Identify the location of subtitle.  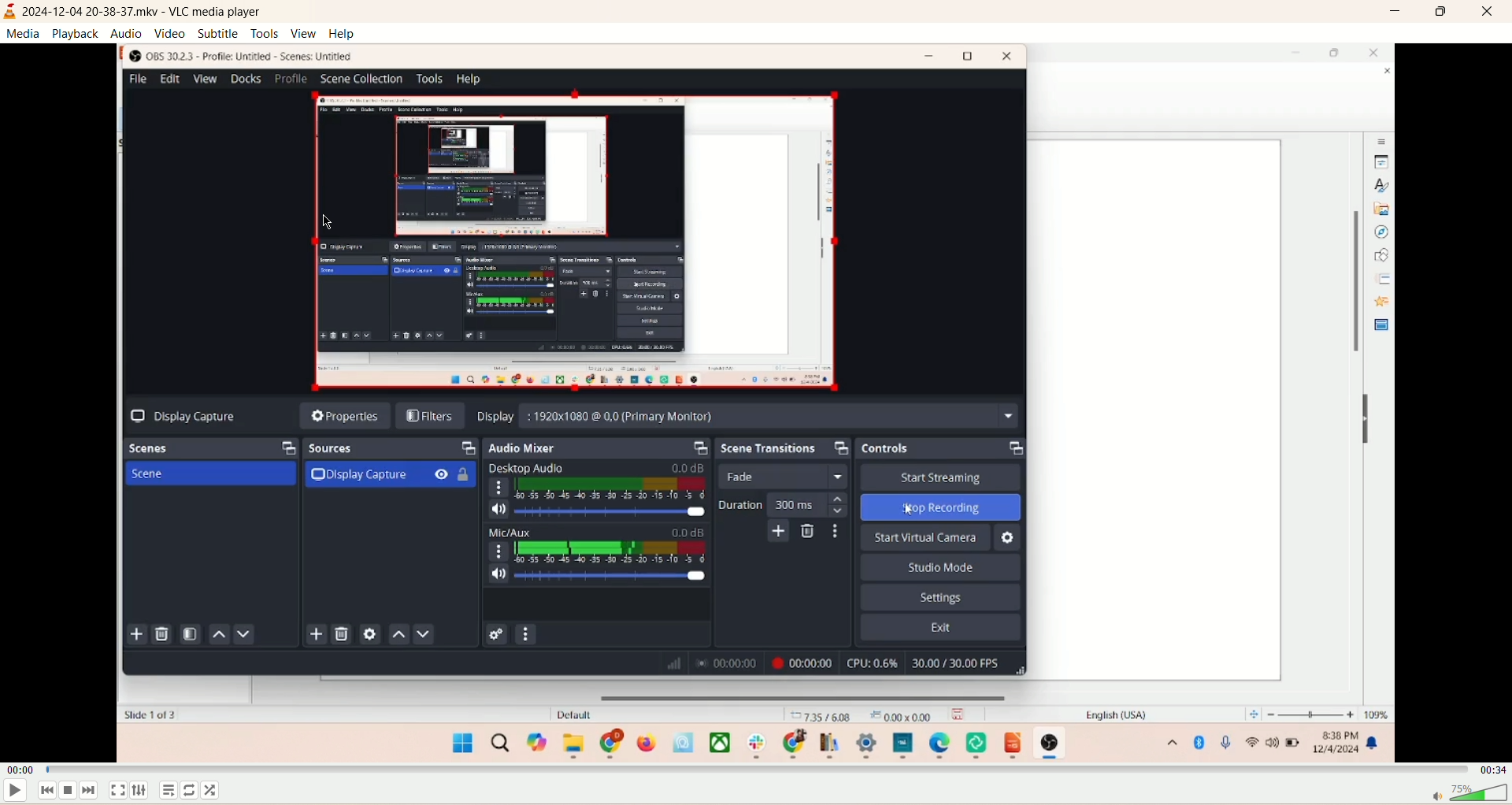
(219, 34).